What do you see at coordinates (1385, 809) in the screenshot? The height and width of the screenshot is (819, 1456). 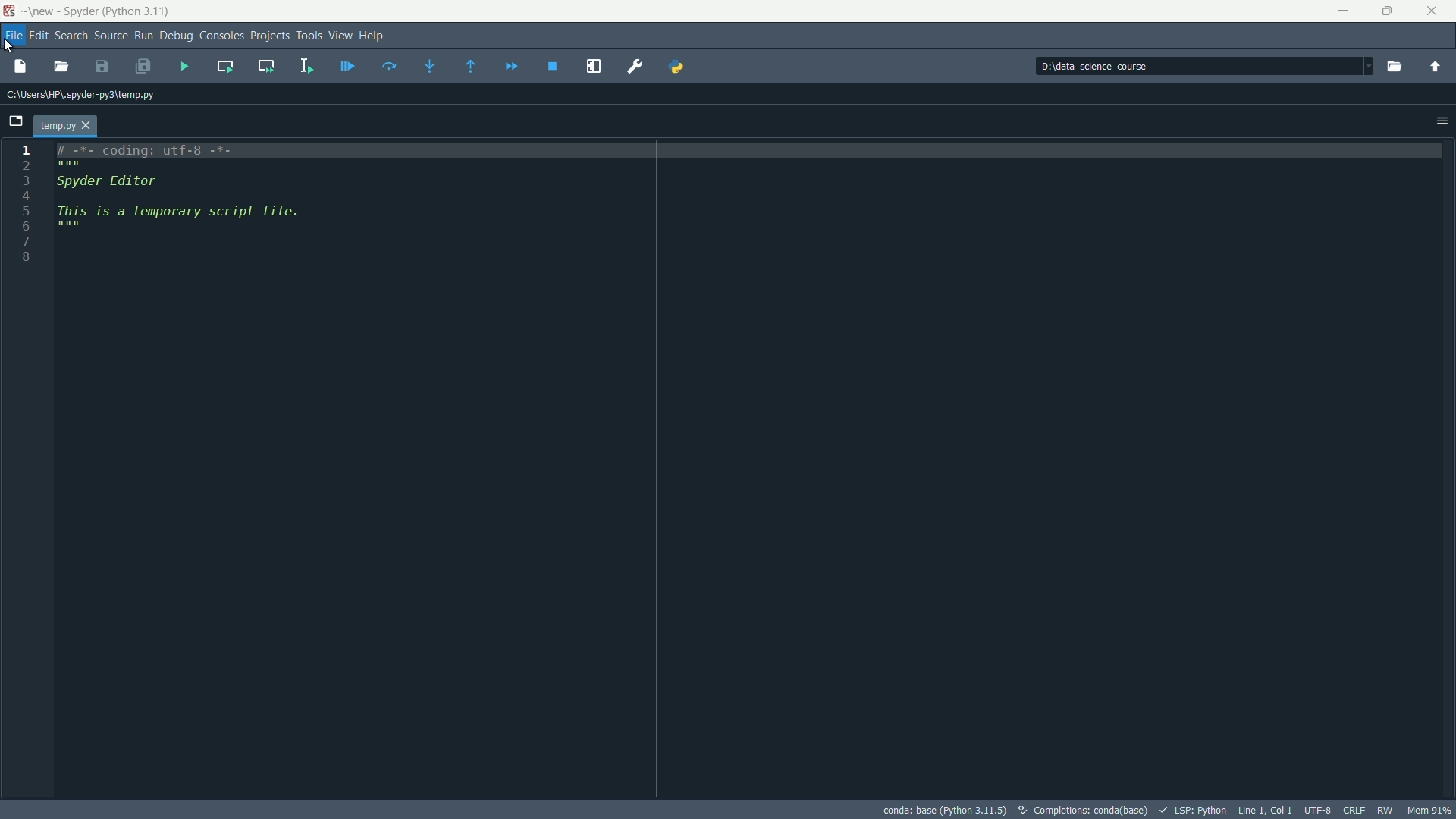 I see `rw` at bounding box center [1385, 809].